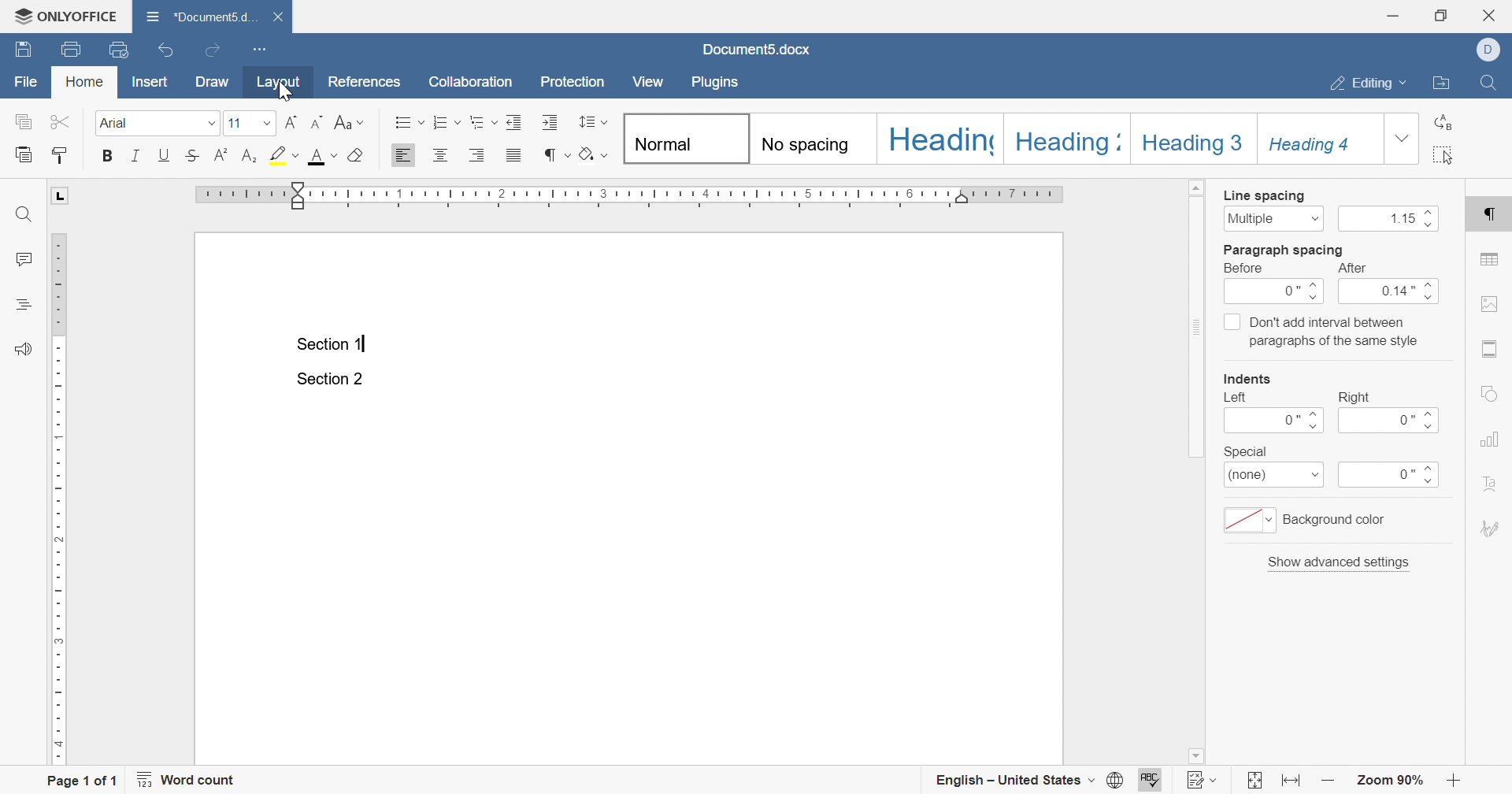  I want to click on ONLYOFFICE, so click(65, 17).